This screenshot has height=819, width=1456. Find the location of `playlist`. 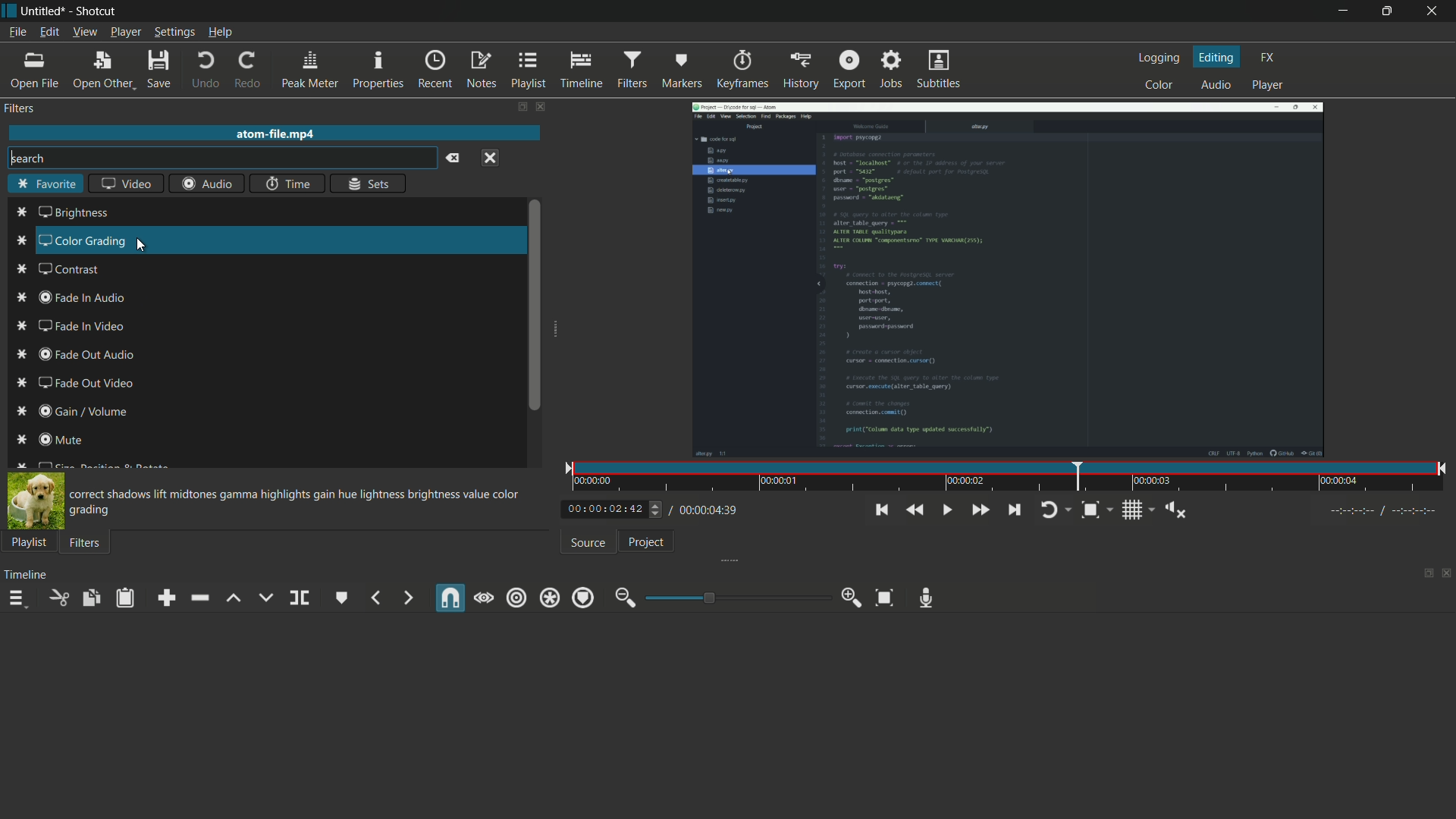

playlist is located at coordinates (29, 541).